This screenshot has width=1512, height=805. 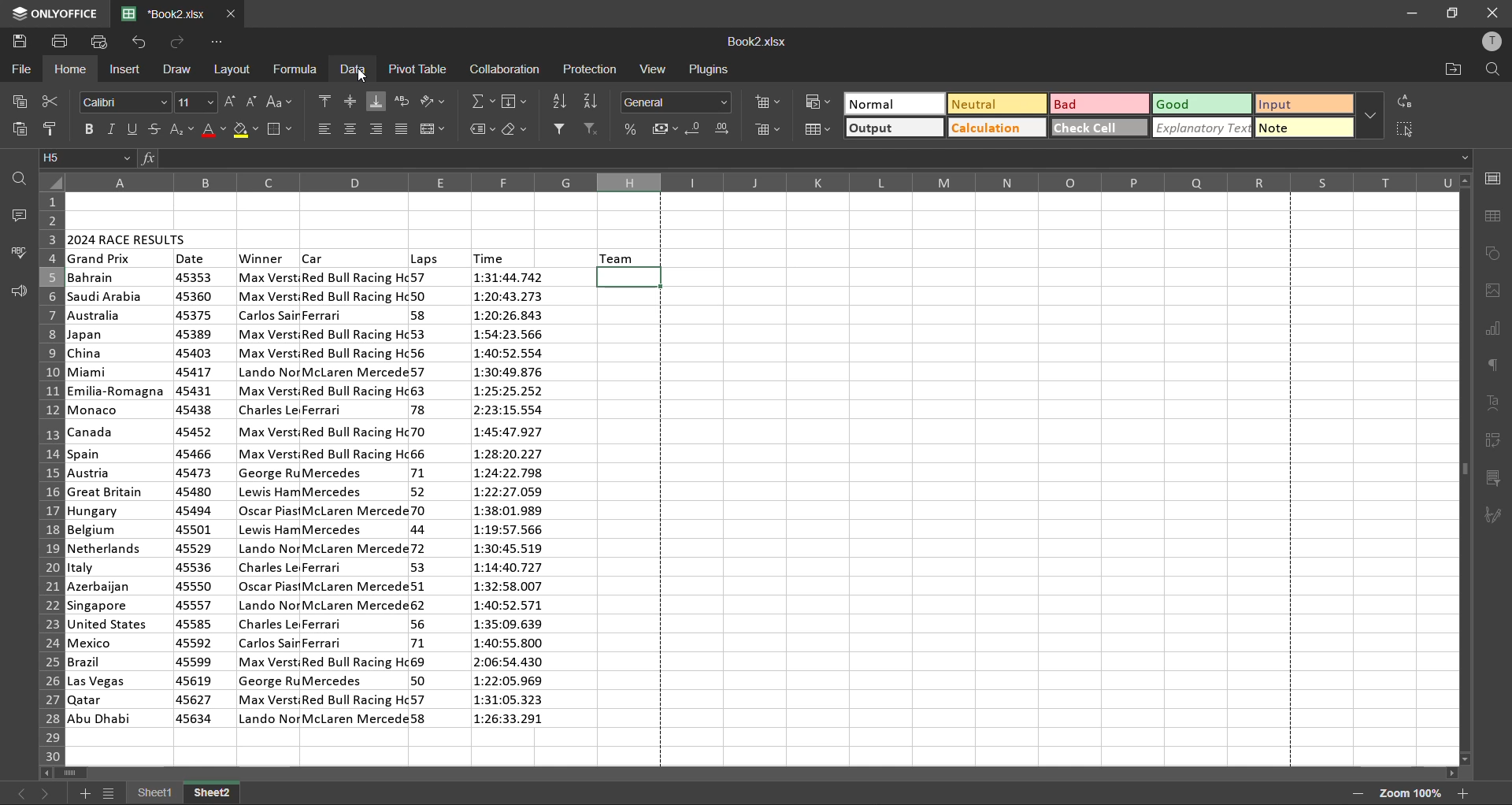 What do you see at coordinates (1465, 795) in the screenshot?
I see `zoom in` at bounding box center [1465, 795].